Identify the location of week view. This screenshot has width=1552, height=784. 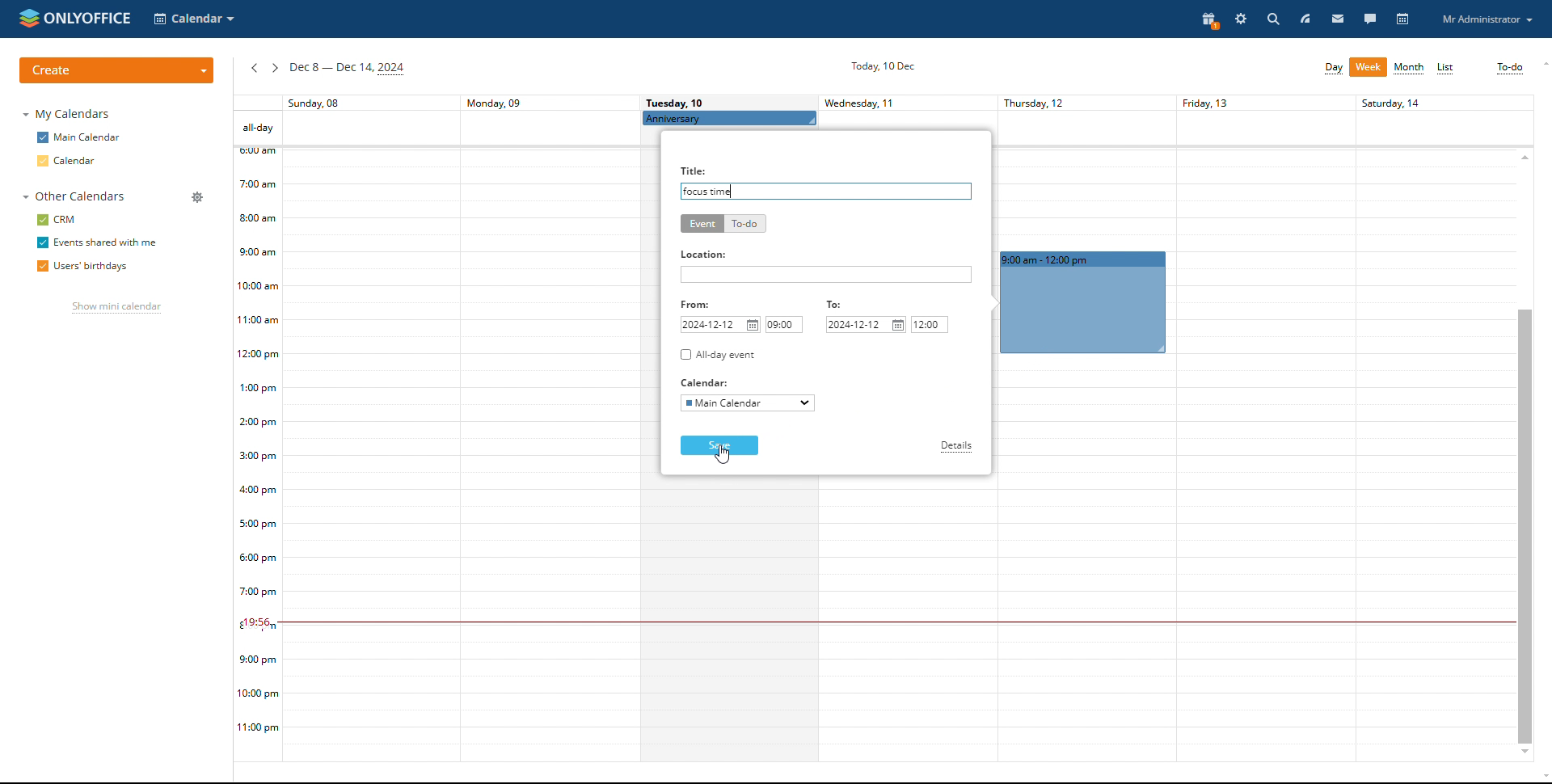
(1369, 67).